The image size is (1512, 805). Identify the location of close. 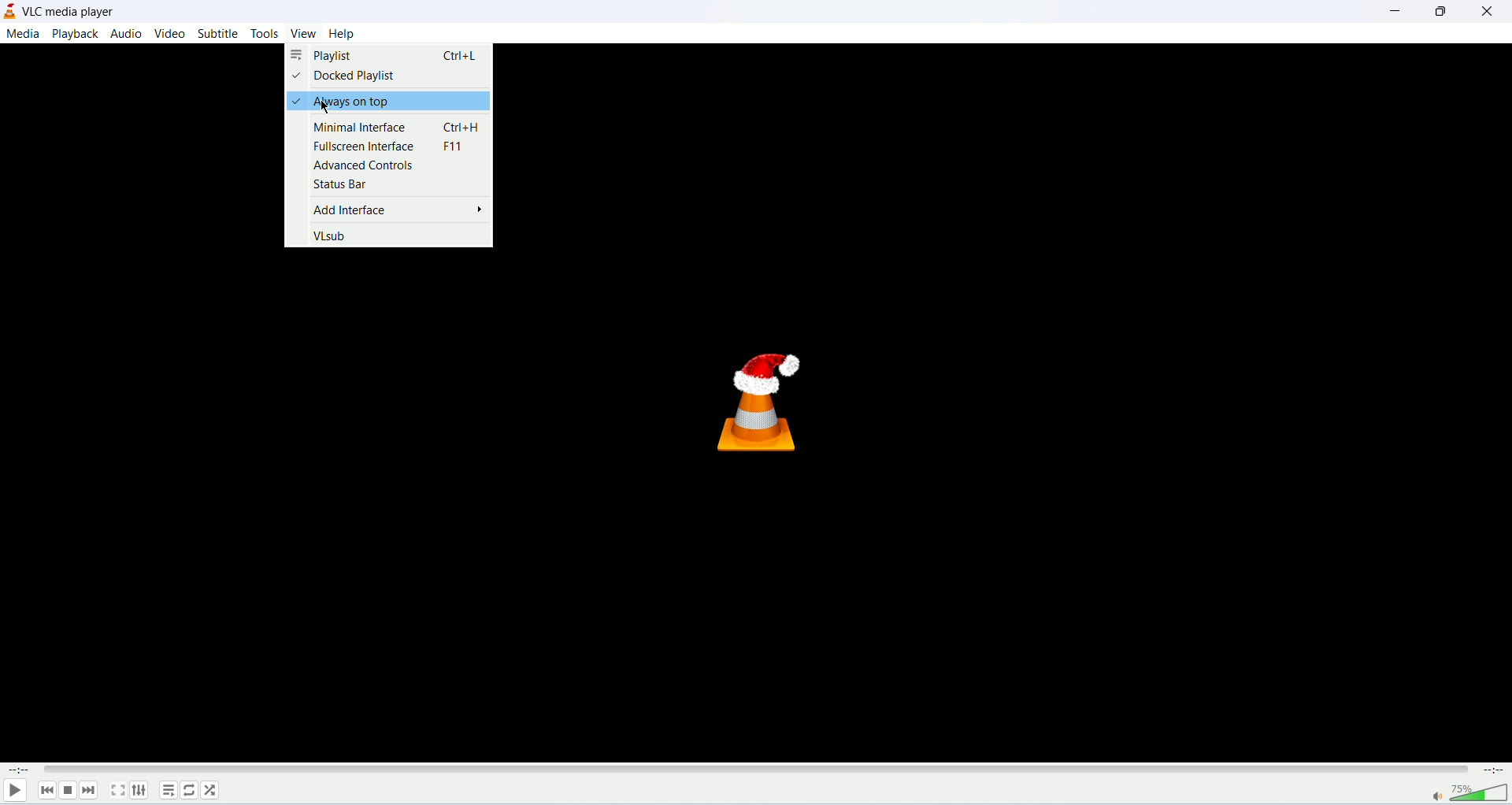
(1489, 13).